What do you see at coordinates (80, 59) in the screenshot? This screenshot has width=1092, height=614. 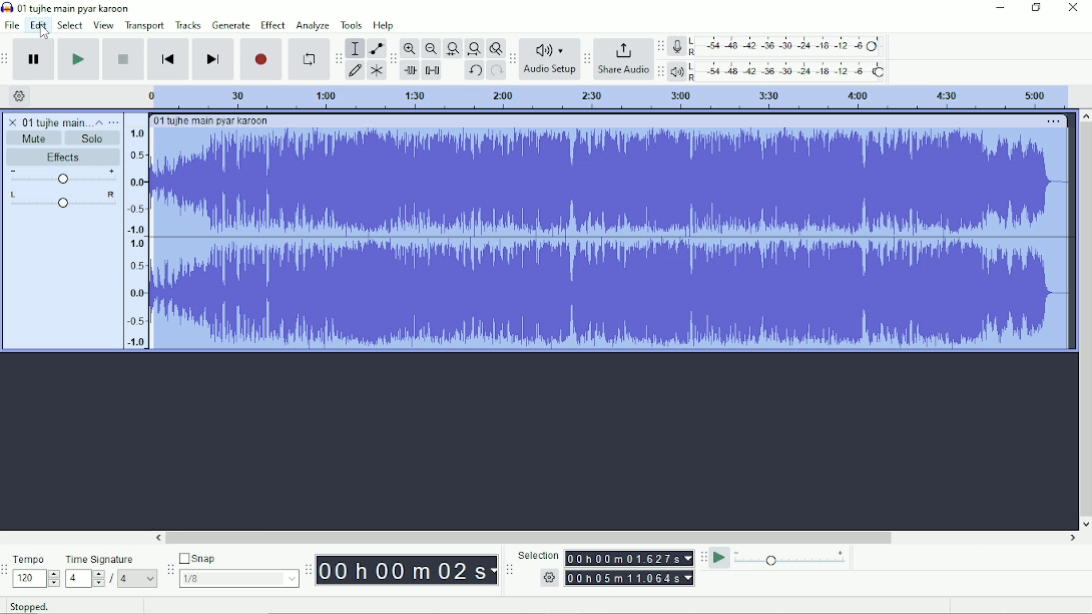 I see `Play` at bounding box center [80, 59].